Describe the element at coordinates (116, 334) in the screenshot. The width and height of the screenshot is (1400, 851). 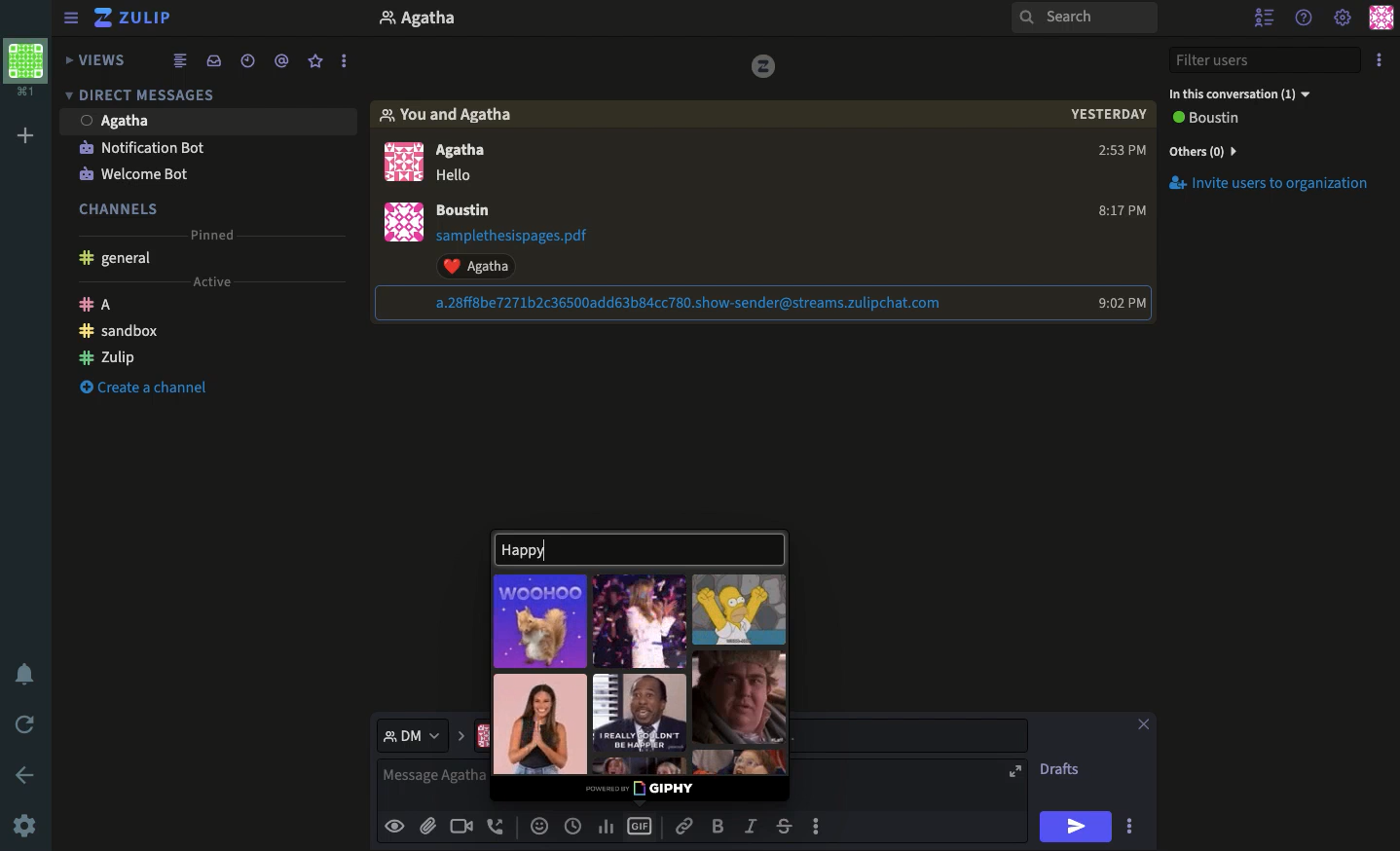
I see `Sandbox` at that location.